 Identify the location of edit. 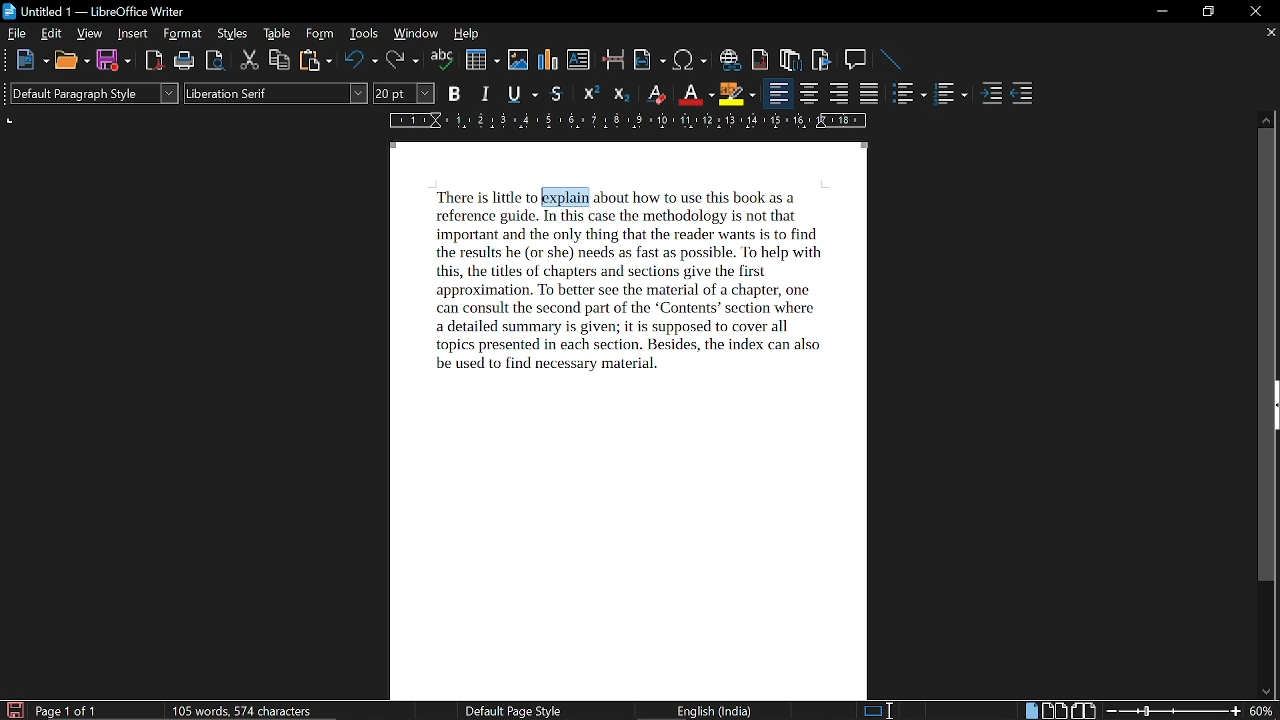
(53, 34).